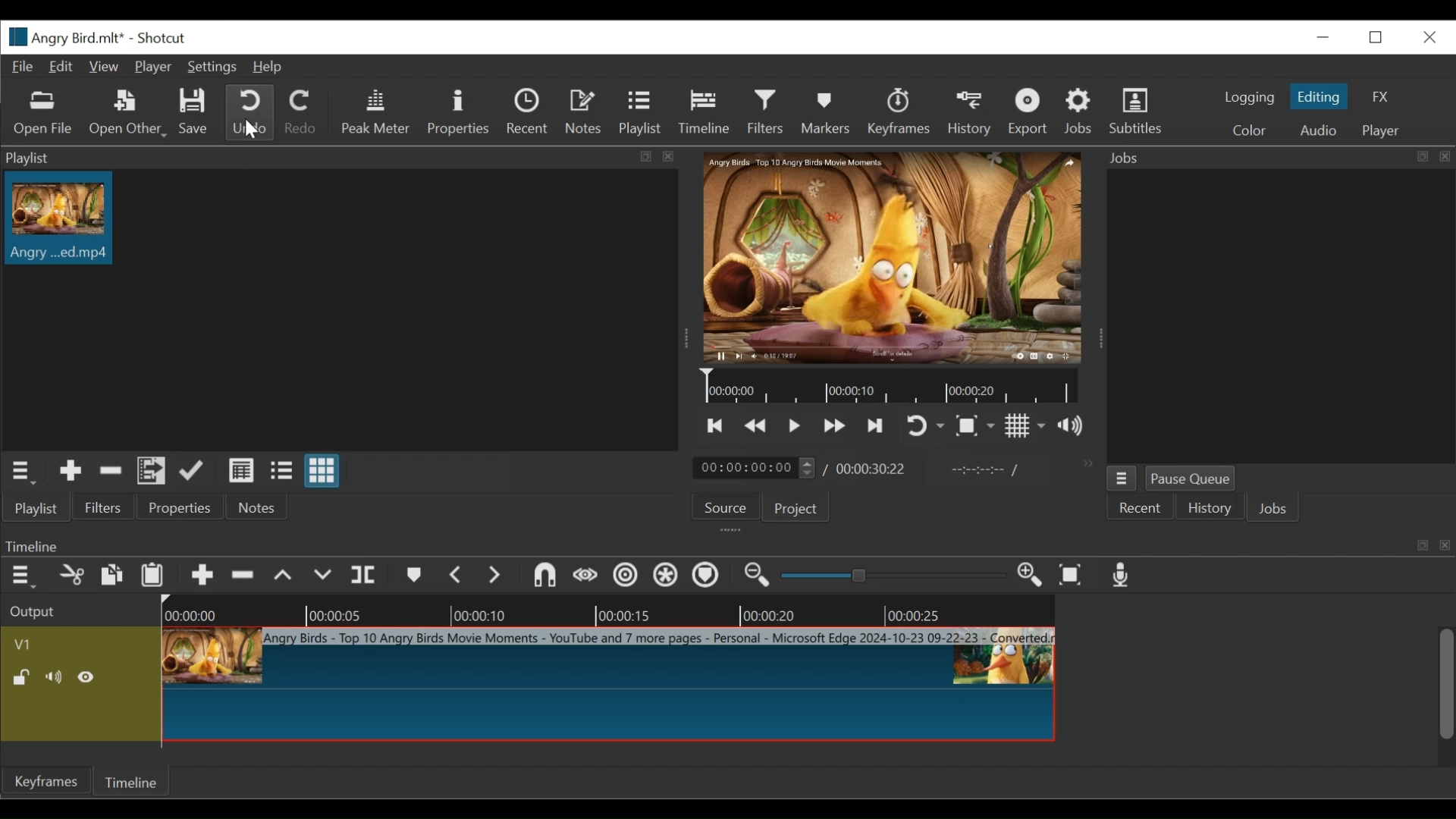 The image size is (1456, 819). I want to click on View as file, so click(281, 471).